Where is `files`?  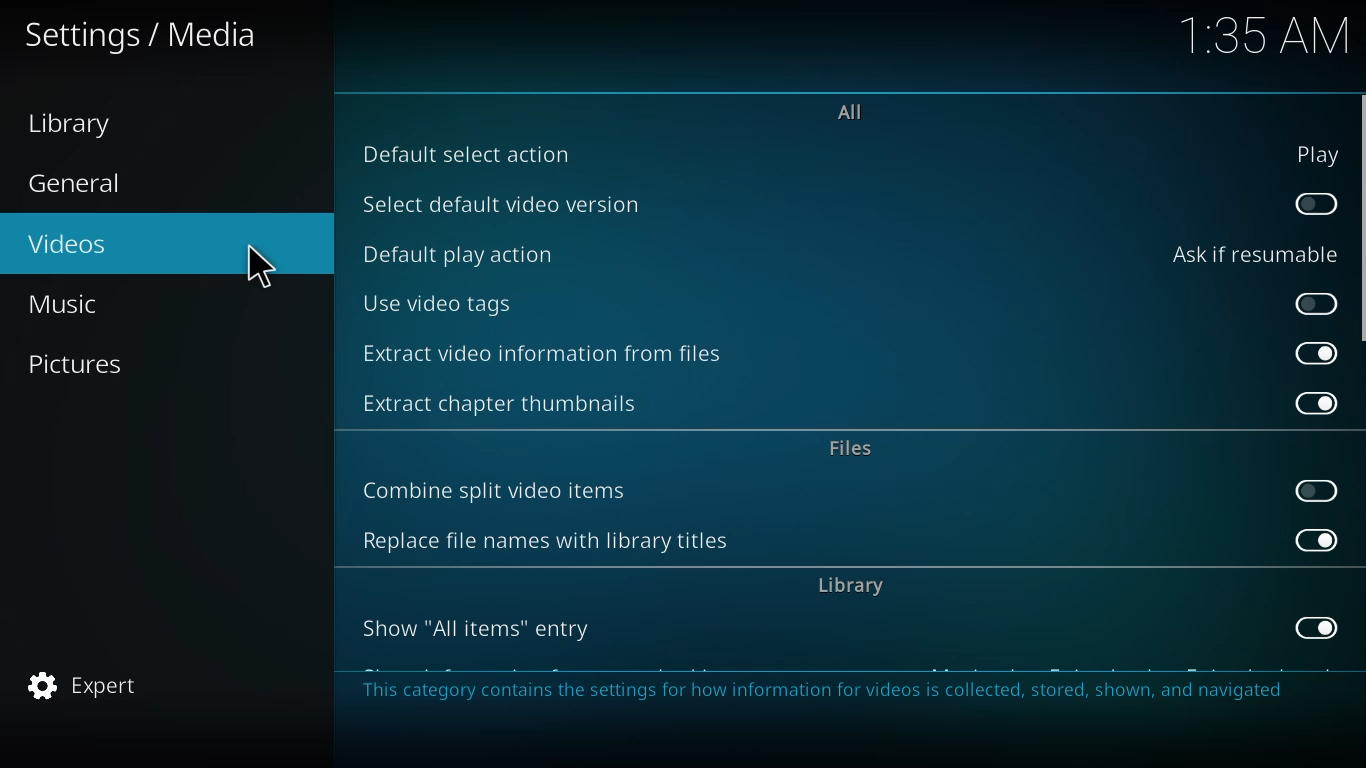 files is located at coordinates (856, 450).